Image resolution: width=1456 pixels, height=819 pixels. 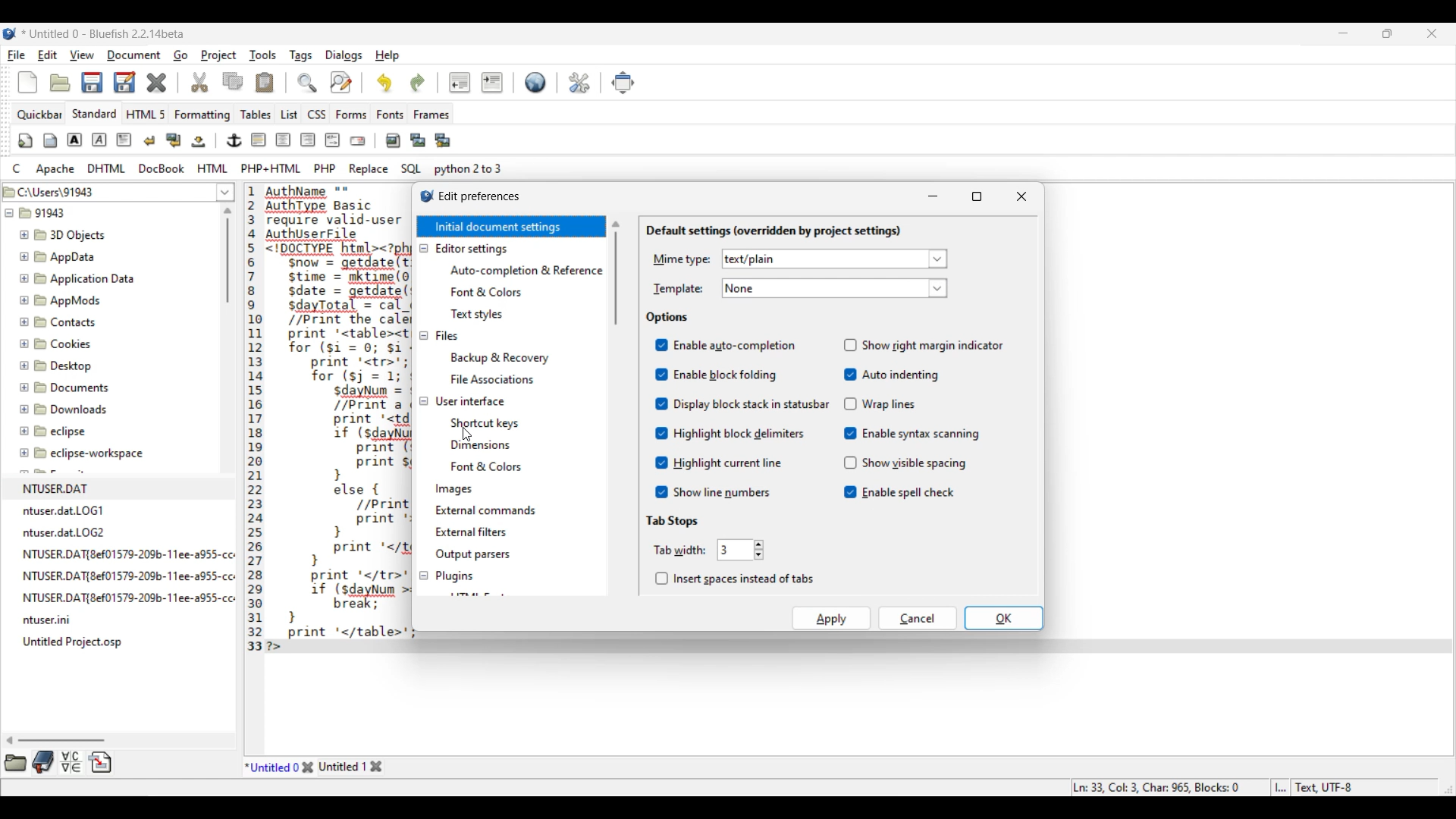 What do you see at coordinates (526, 444) in the screenshot?
I see `User interface setting options` at bounding box center [526, 444].